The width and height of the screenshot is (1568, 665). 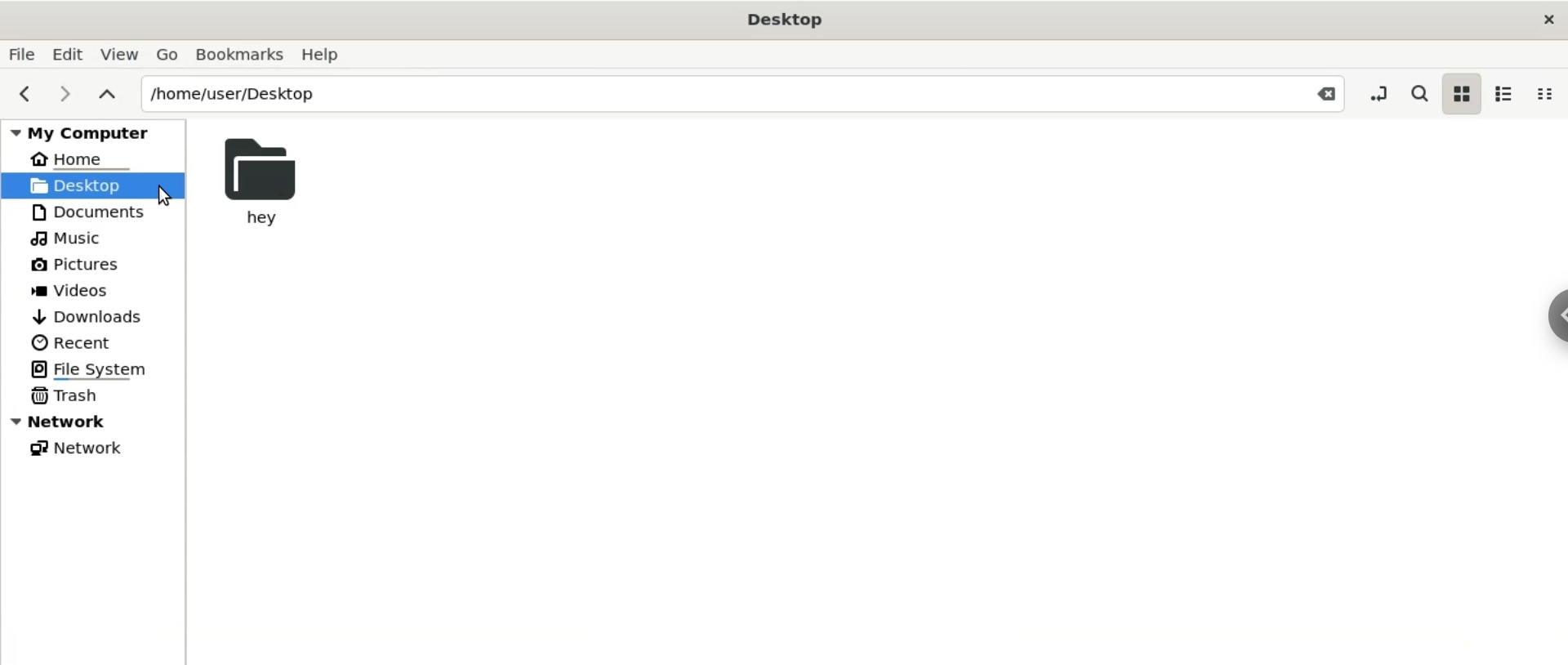 What do you see at coordinates (336, 55) in the screenshot?
I see `Help` at bounding box center [336, 55].